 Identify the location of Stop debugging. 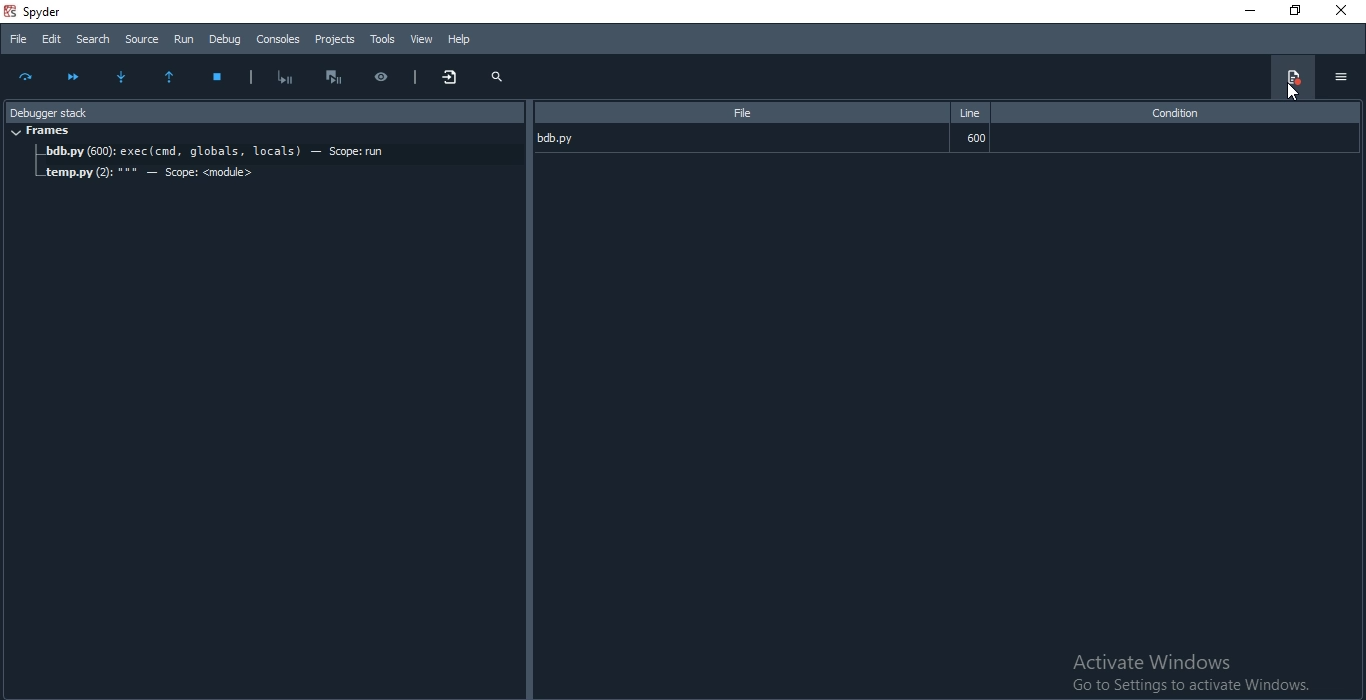
(222, 78).